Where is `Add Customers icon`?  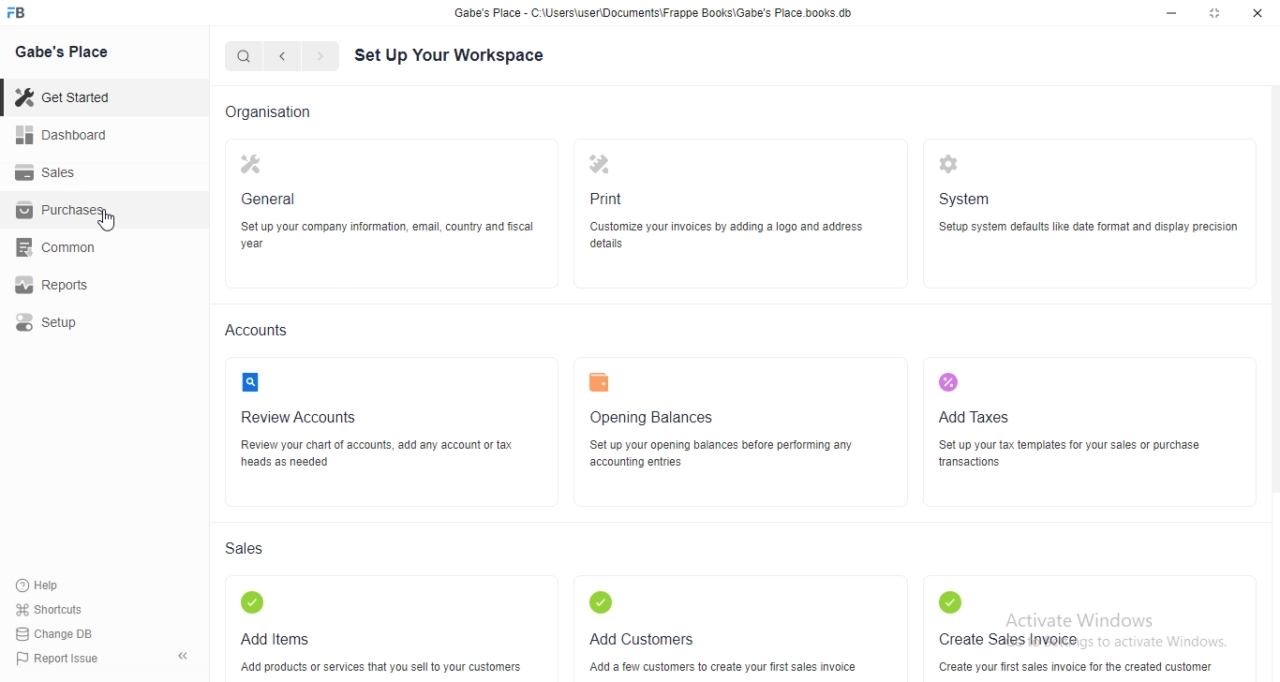 Add Customers icon is located at coordinates (600, 602).